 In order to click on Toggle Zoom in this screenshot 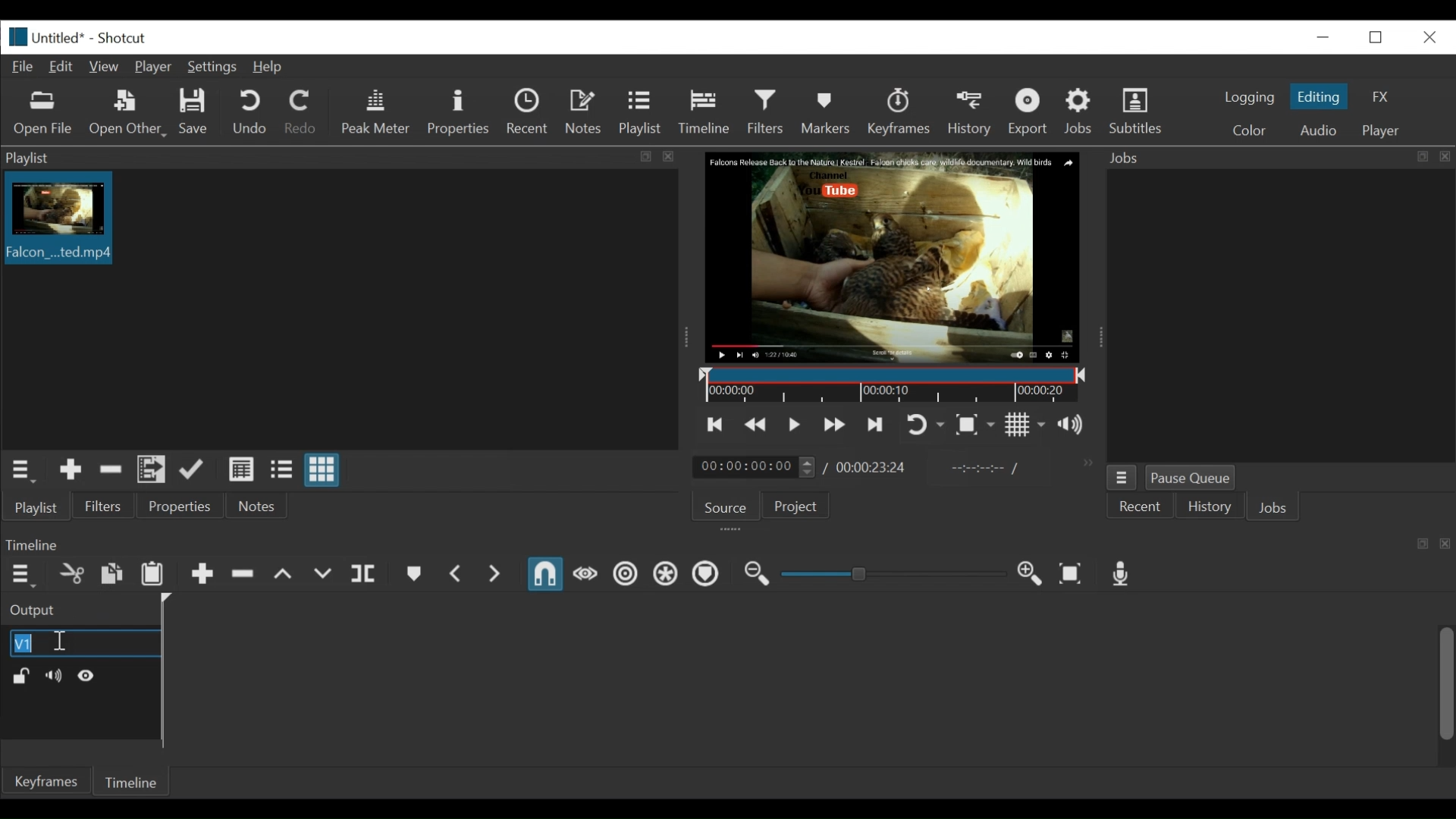, I will do `click(976, 424)`.